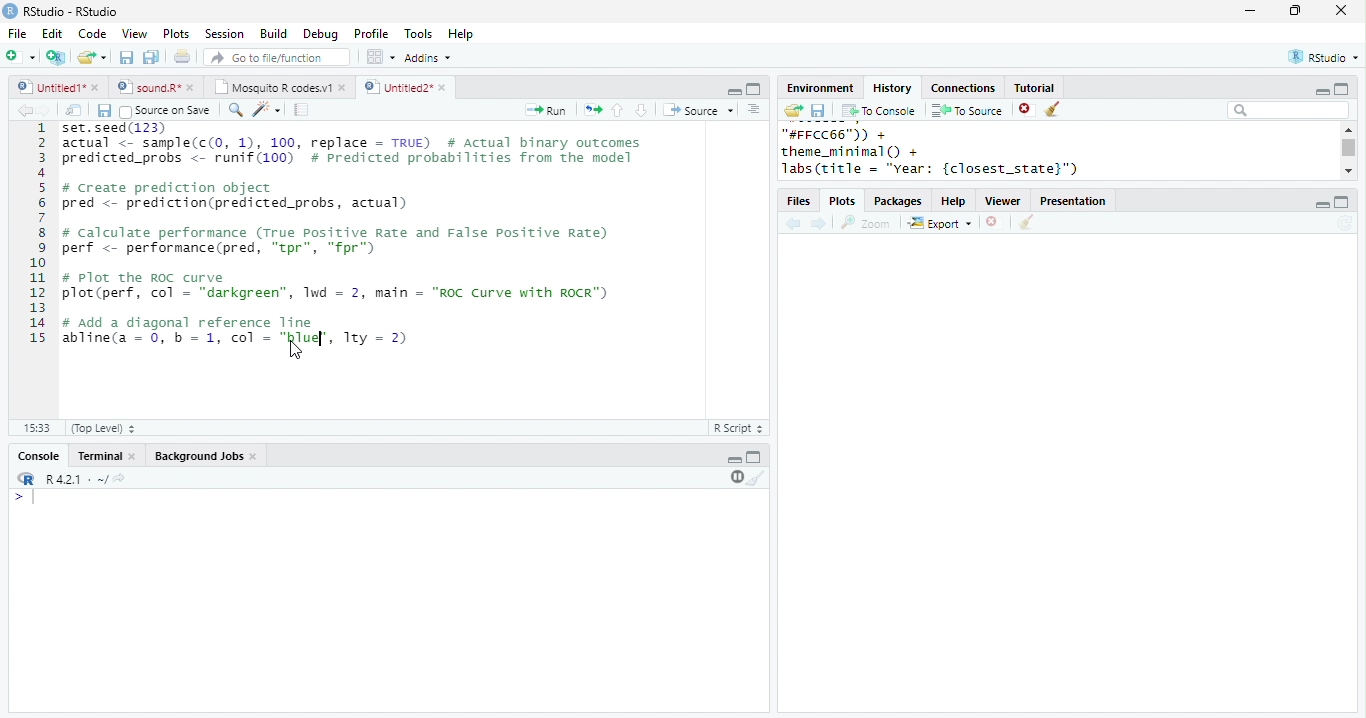 Image resolution: width=1366 pixels, height=718 pixels. What do you see at coordinates (593, 110) in the screenshot?
I see `rerun` at bounding box center [593, 110].